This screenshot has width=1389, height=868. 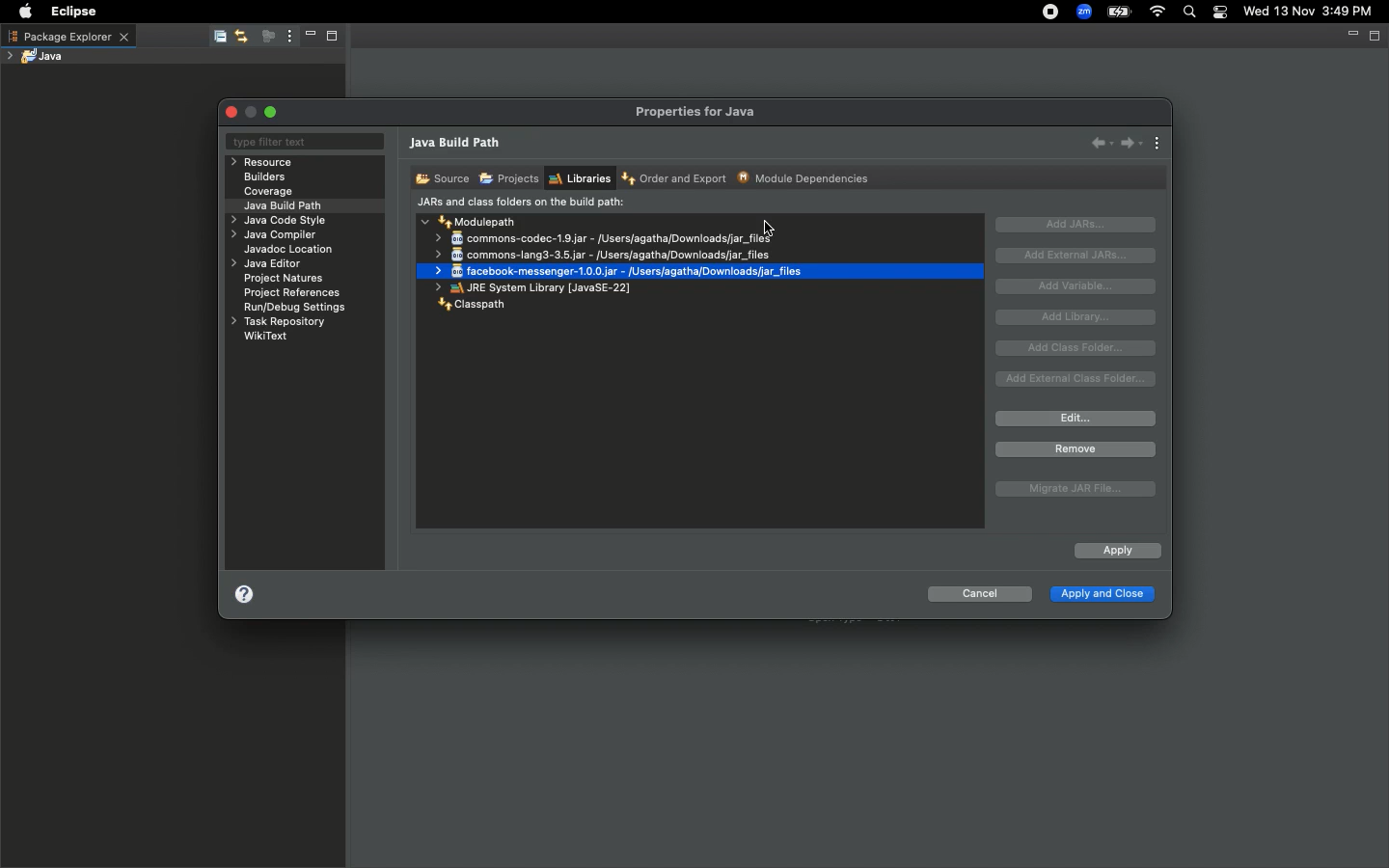 I want to click on Java editor, so click(x=269, y=264).